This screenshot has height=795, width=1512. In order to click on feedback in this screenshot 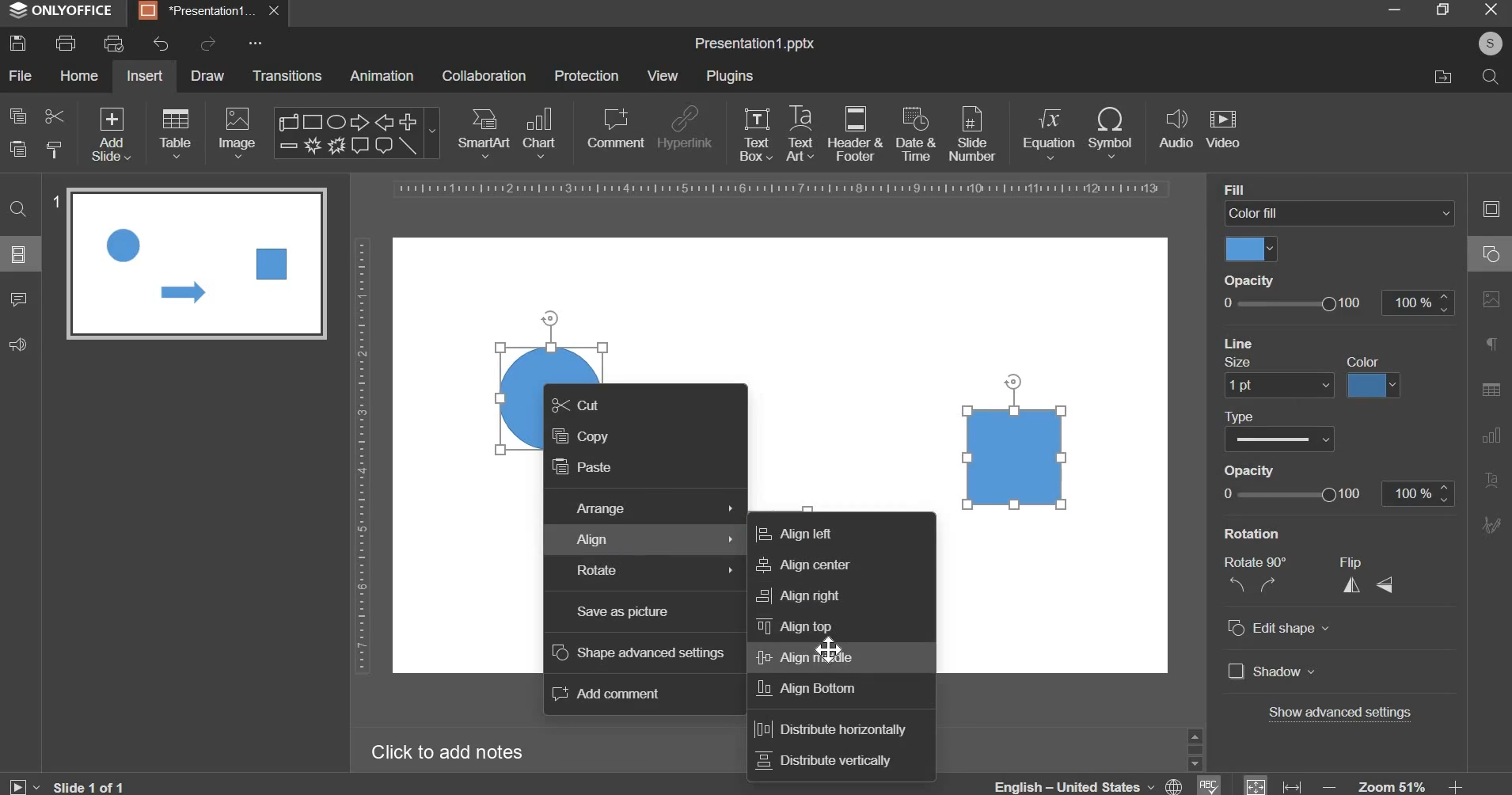, I will do `click(17, 344)`.